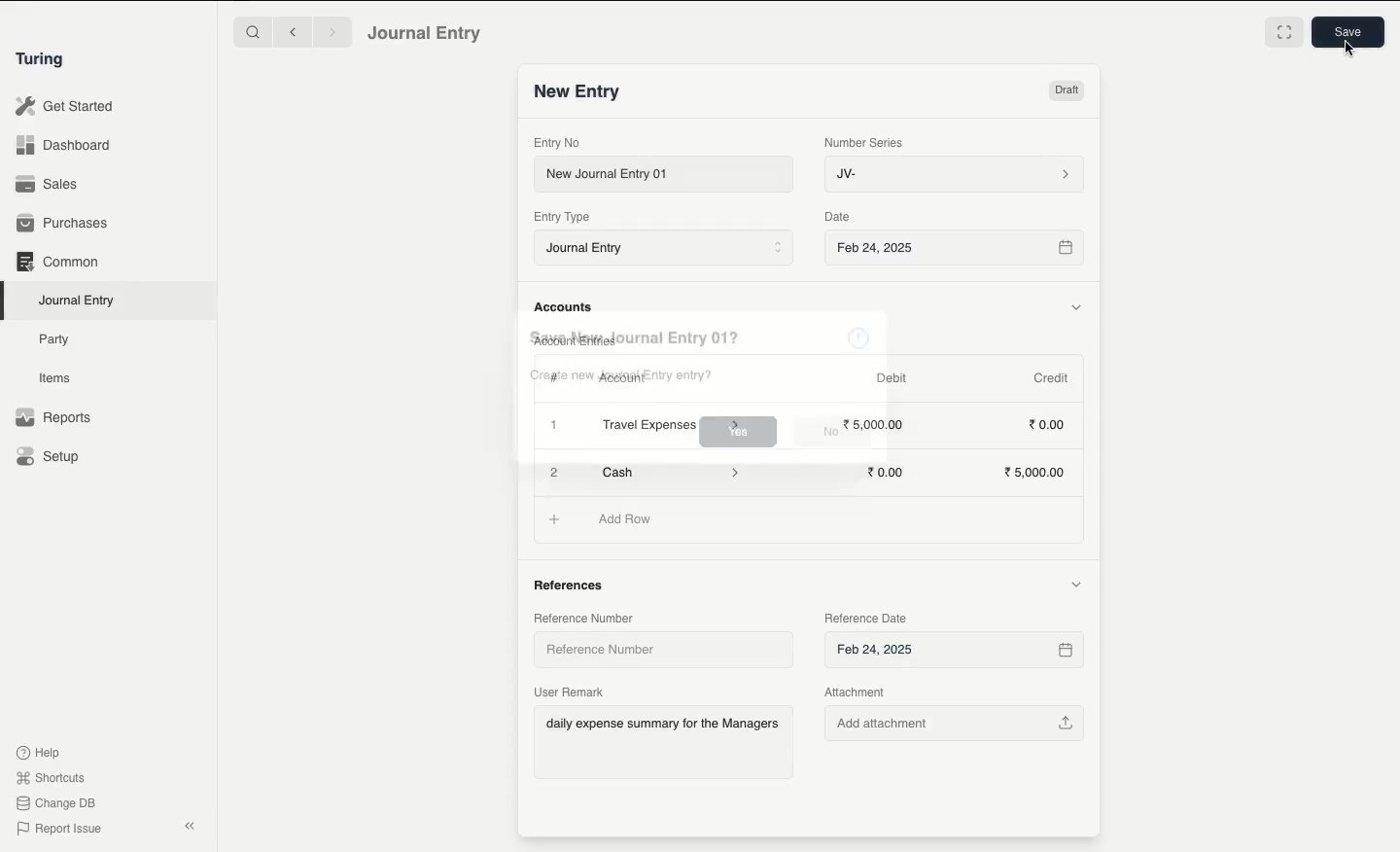 Image resolution: width=1400 pixels, height=852 pixels. I want to click on Forward, so click(333, 31).